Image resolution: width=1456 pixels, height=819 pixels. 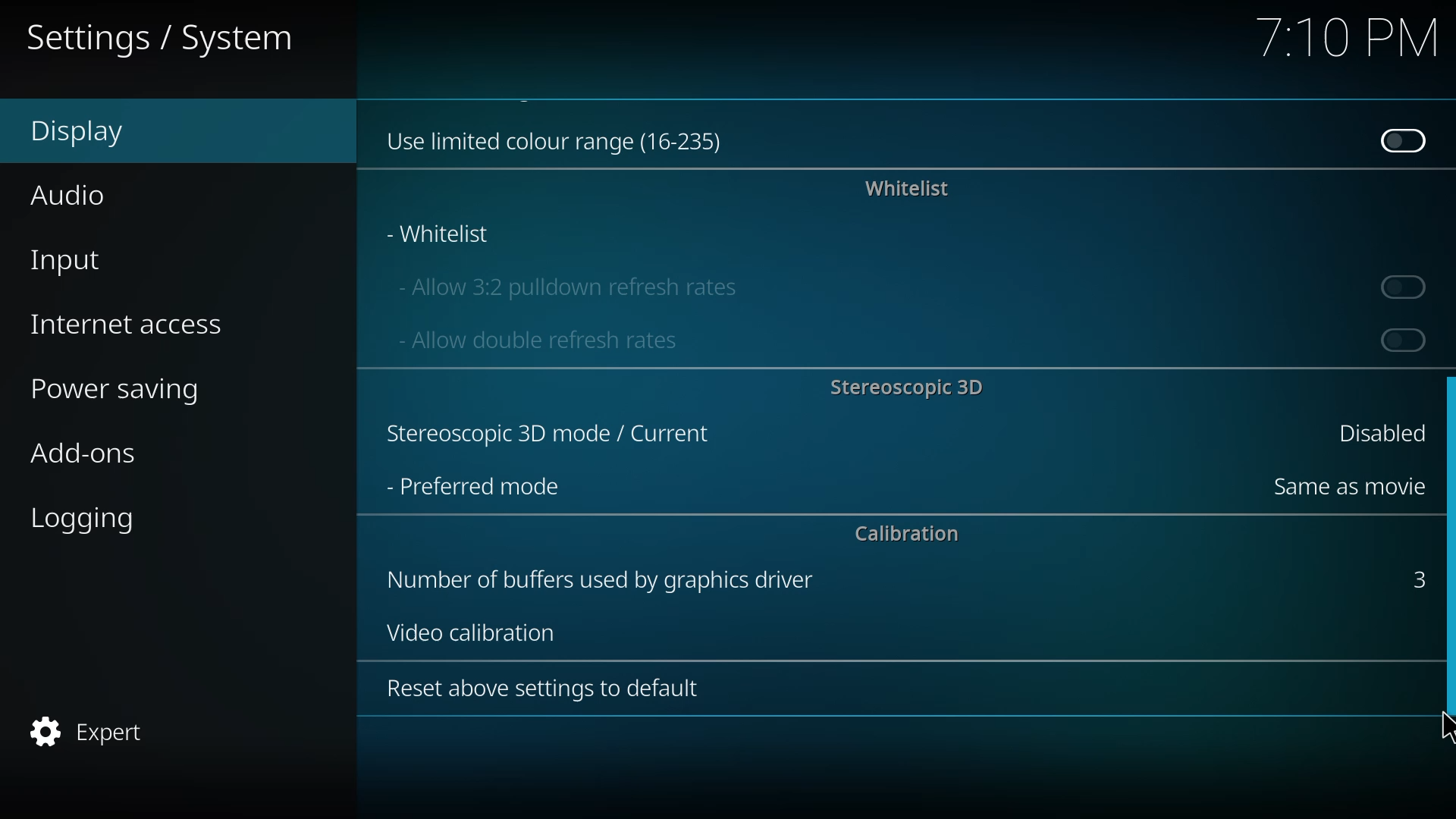 I want to click on system, so click(x=165, y=39).